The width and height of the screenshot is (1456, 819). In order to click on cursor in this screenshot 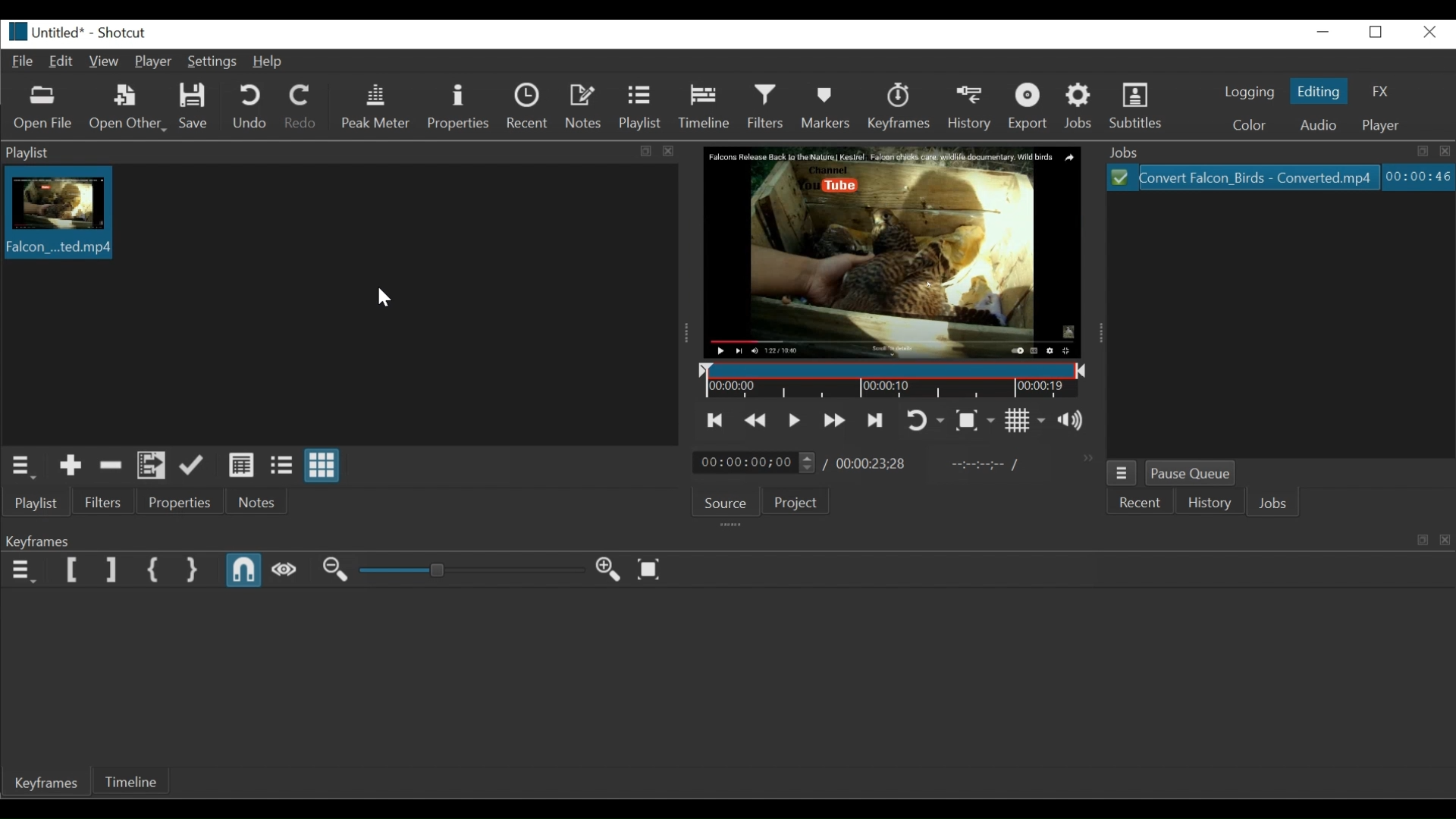, I will do `click(387, 297)`.